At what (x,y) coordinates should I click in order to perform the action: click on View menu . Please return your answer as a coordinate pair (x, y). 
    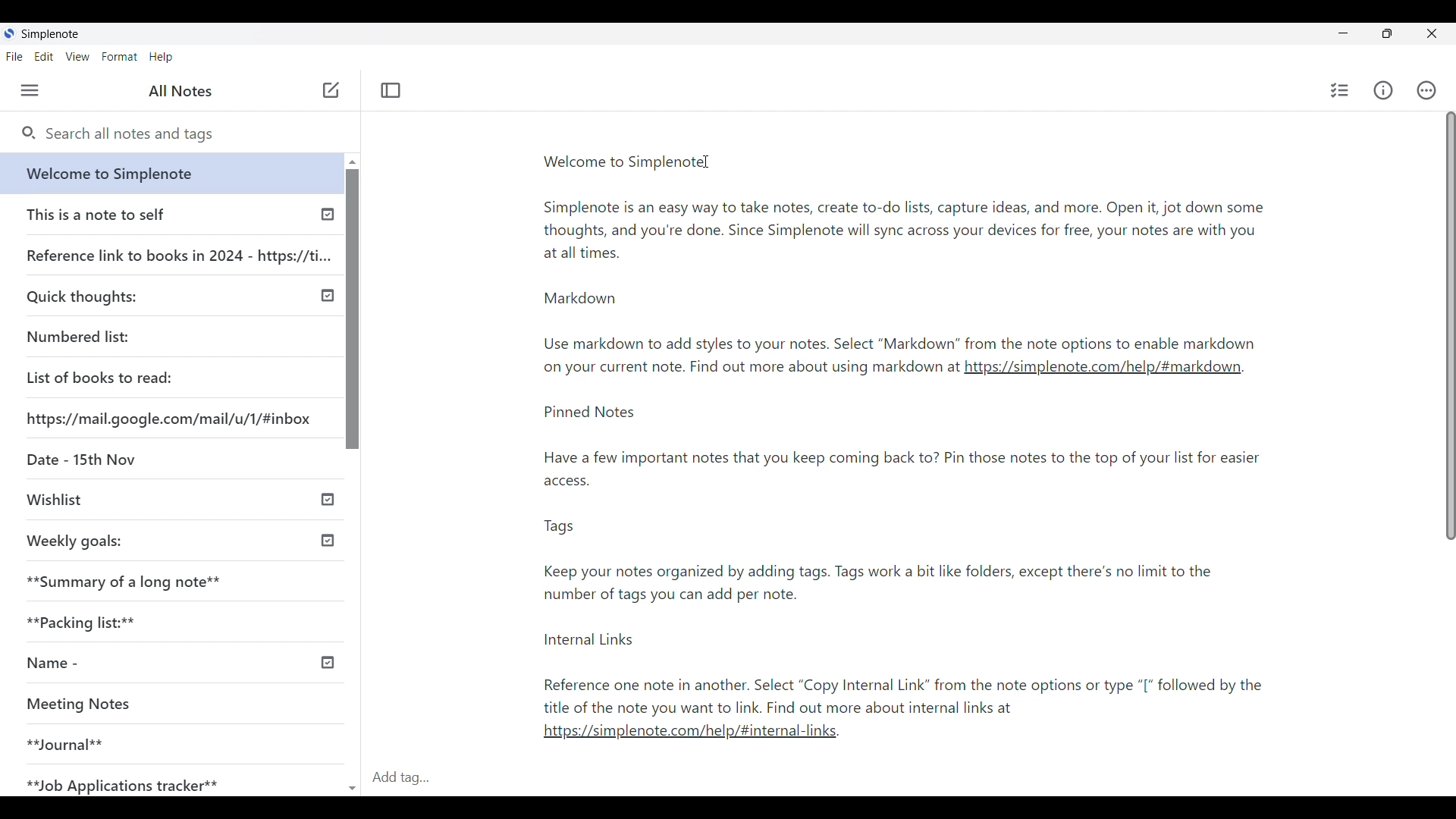
    Looking at the image, I should click on (78, 56).